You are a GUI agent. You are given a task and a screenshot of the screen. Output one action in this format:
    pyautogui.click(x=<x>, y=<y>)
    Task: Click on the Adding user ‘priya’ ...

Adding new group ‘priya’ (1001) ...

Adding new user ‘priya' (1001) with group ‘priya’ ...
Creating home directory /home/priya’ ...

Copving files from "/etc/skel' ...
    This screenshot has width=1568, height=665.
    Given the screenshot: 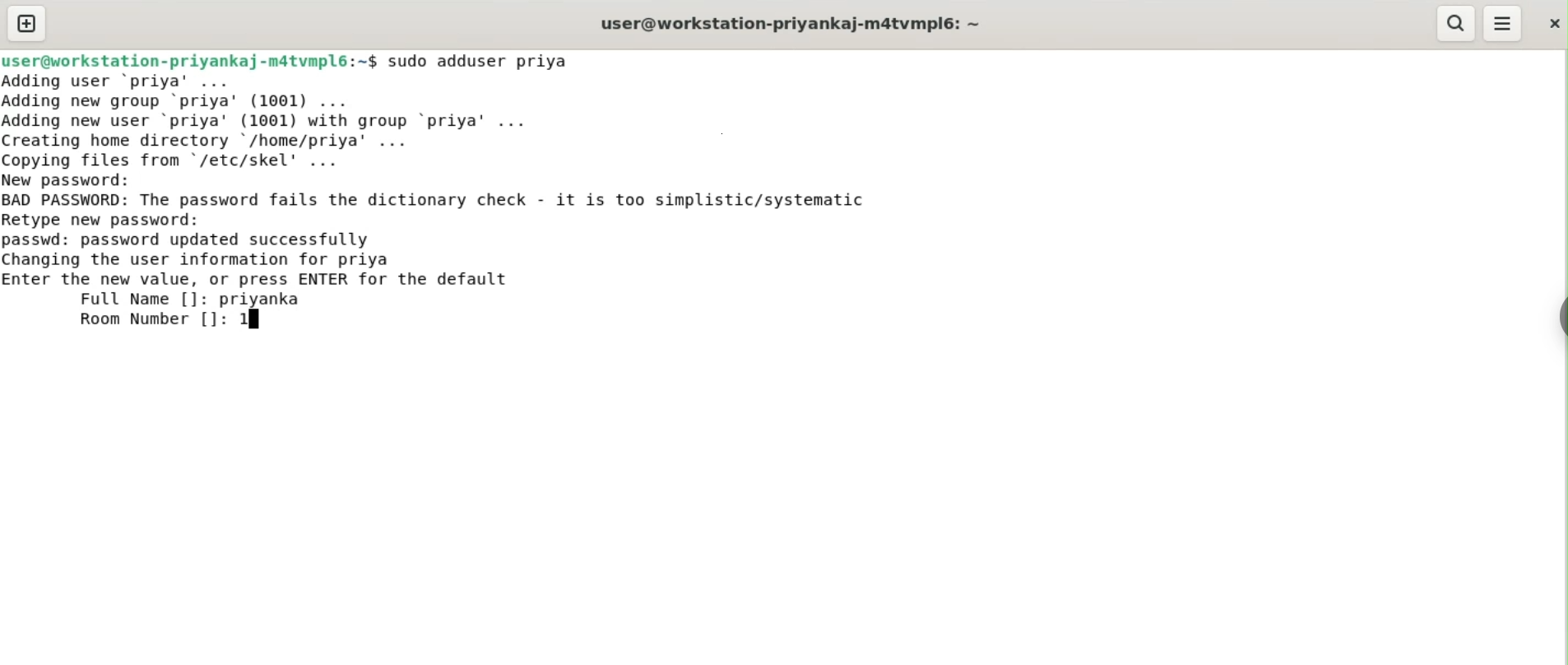 What is the action you would take?
    pyautogui.click(x=318, y=119)
    